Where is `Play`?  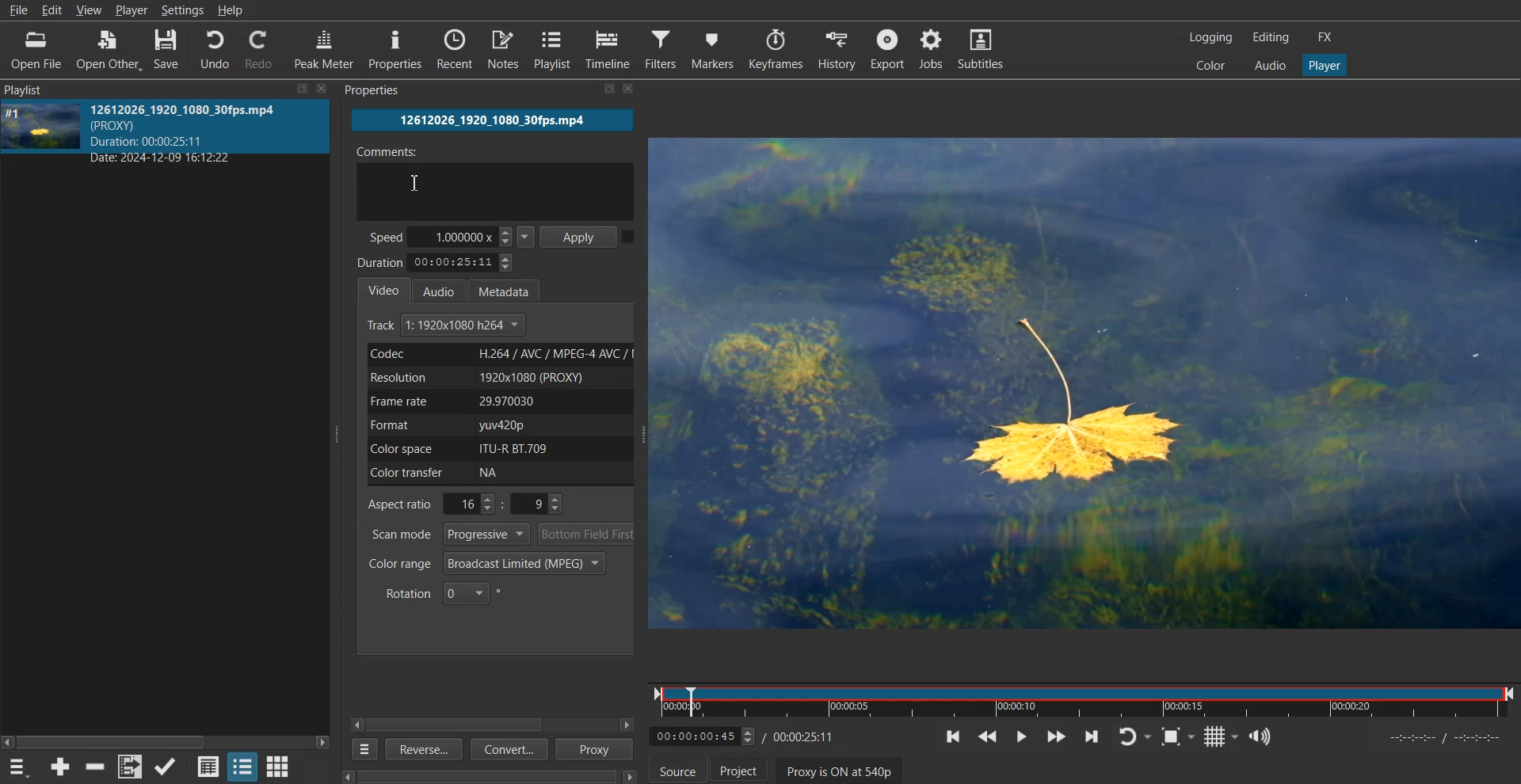 Play is located at coordinates (1020, 736).